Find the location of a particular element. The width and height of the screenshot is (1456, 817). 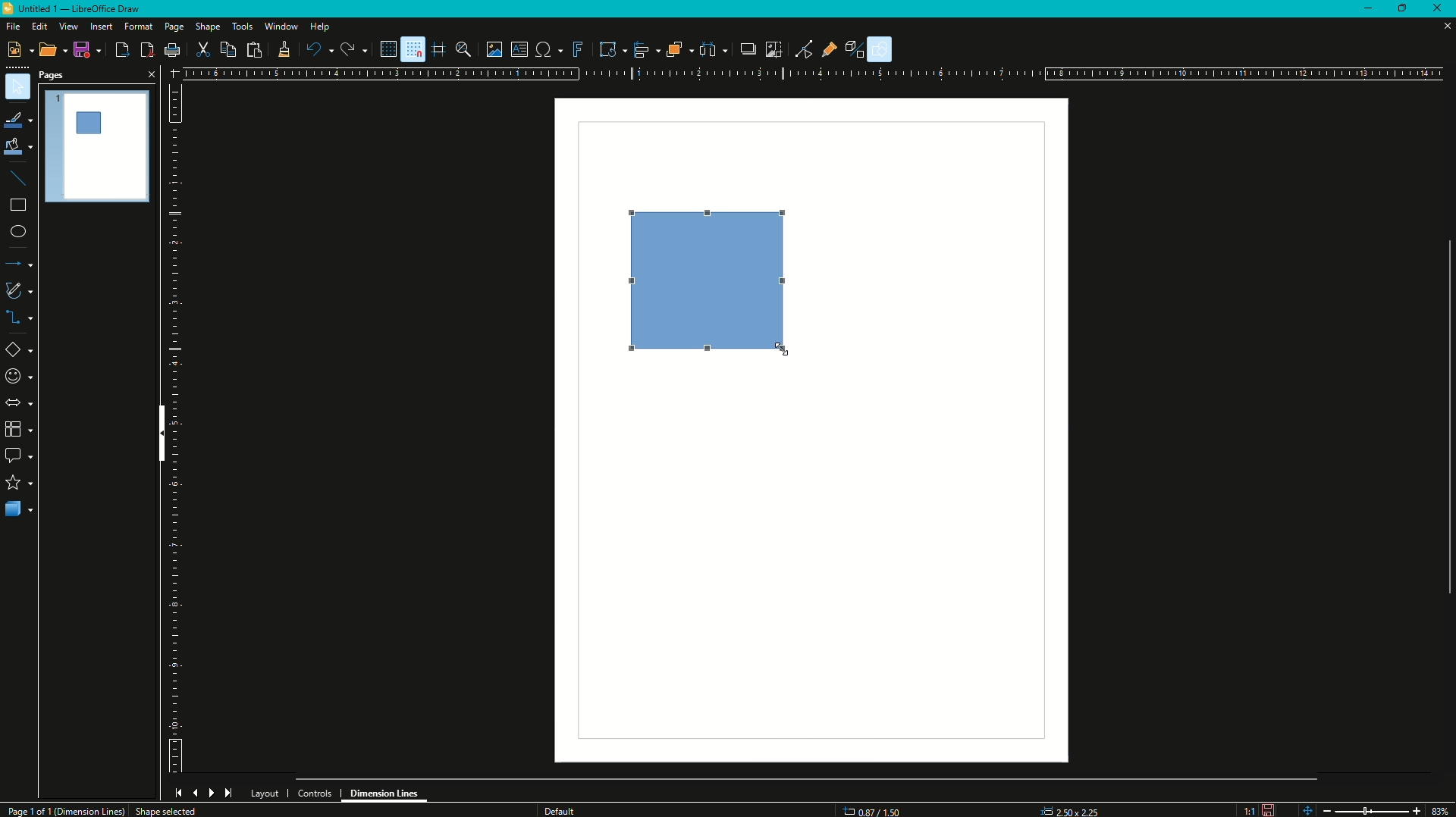

Fill Color is located at coordinates (18, 147).